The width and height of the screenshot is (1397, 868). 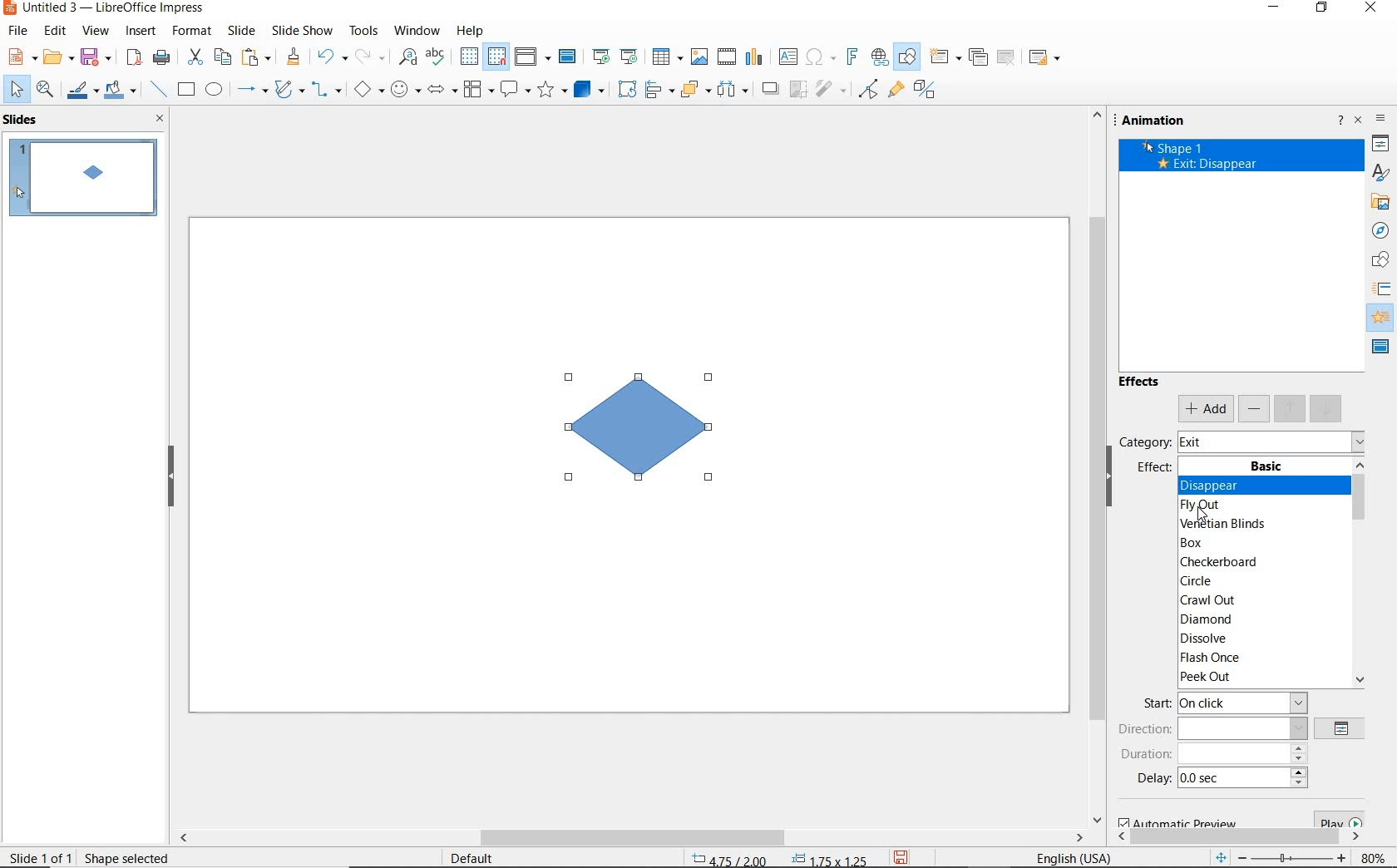 What do you see at coordinates (222, 58) in the screenshot?
I see `copy` at bounding box center [222, 58].